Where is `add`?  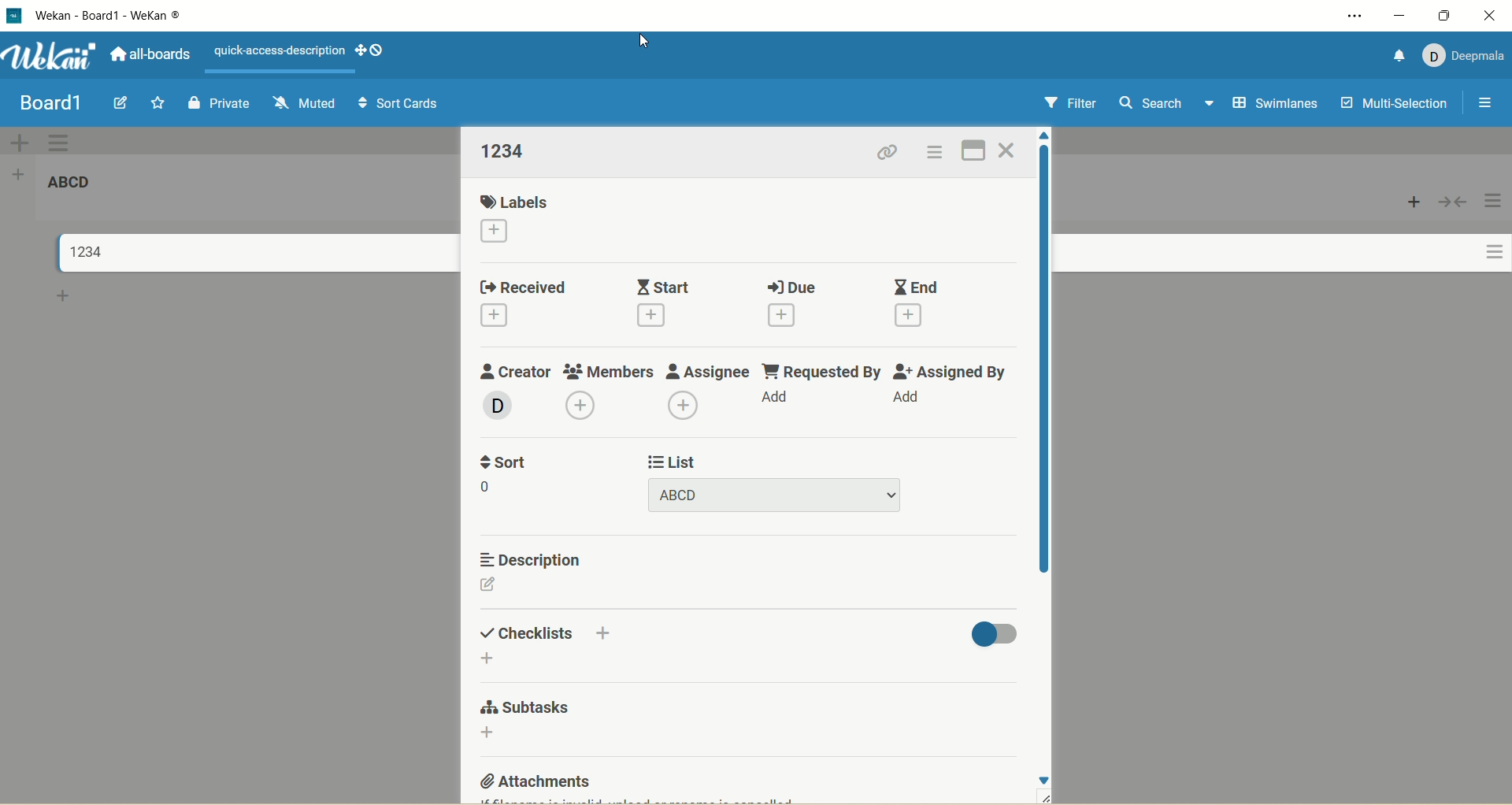 add is located at coordinates (494, 317).